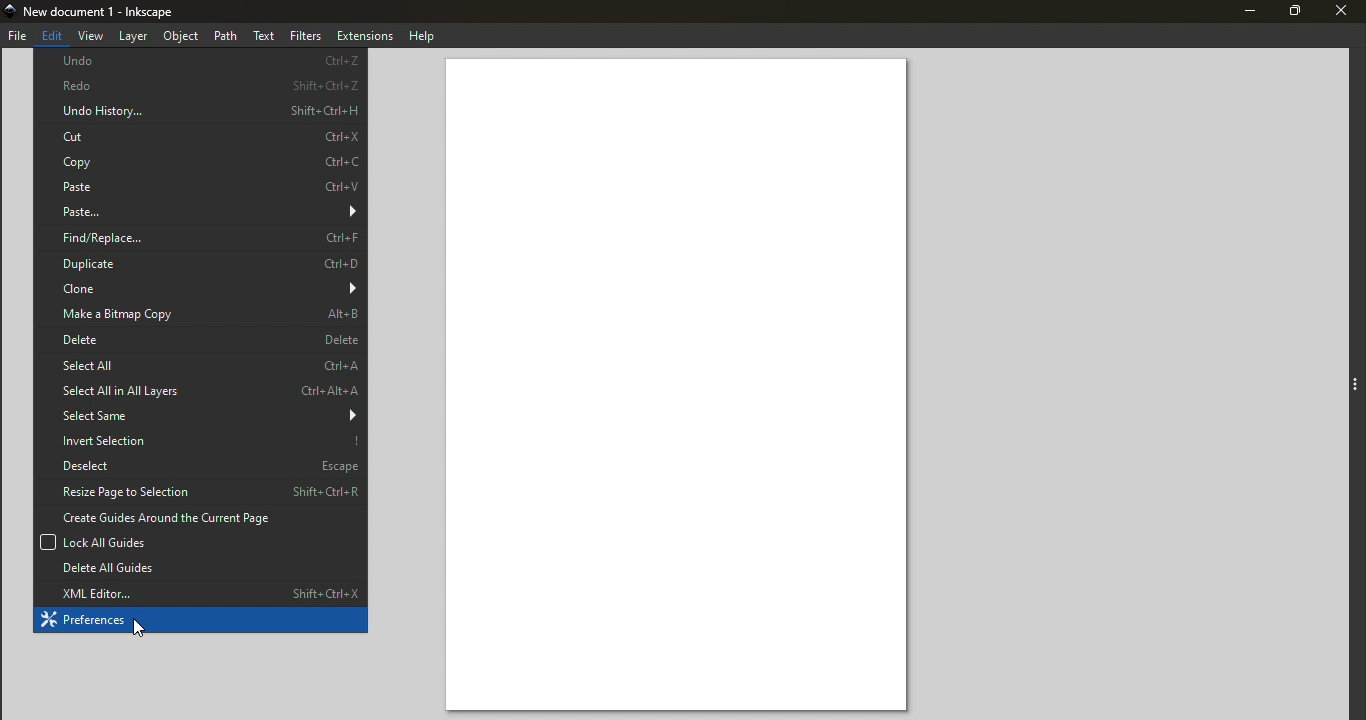 The image size is (1366, 720). What do you see at coordinates (91, 37) in the screenshot?
I see `View` at bounding box center [91, 37].